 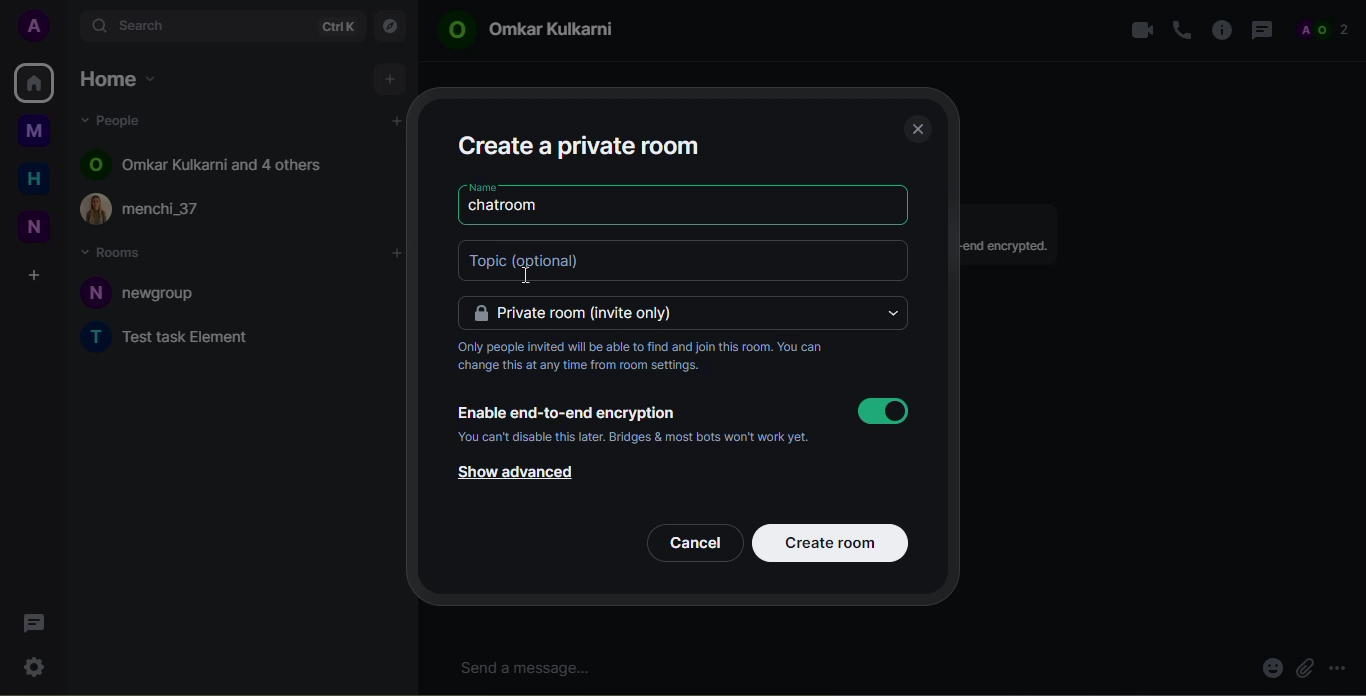 What do you see at coordinates (1137, 28) in the screenshot?
I see `video call` at bounding box center [1137, 28].